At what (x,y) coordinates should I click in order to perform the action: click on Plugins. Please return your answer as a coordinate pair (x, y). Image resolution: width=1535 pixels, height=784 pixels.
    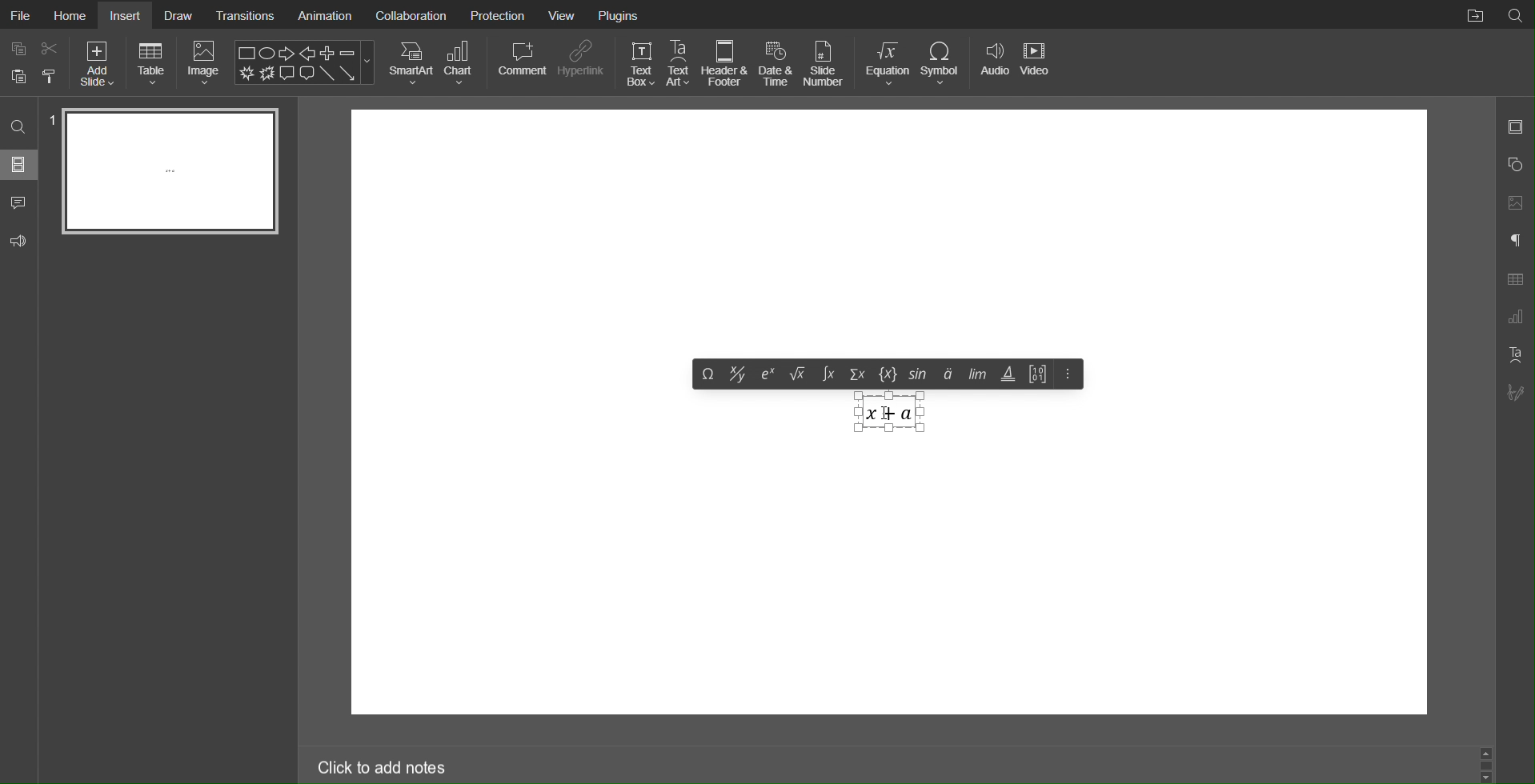
    Looking at the image, I should click on (617, 15).